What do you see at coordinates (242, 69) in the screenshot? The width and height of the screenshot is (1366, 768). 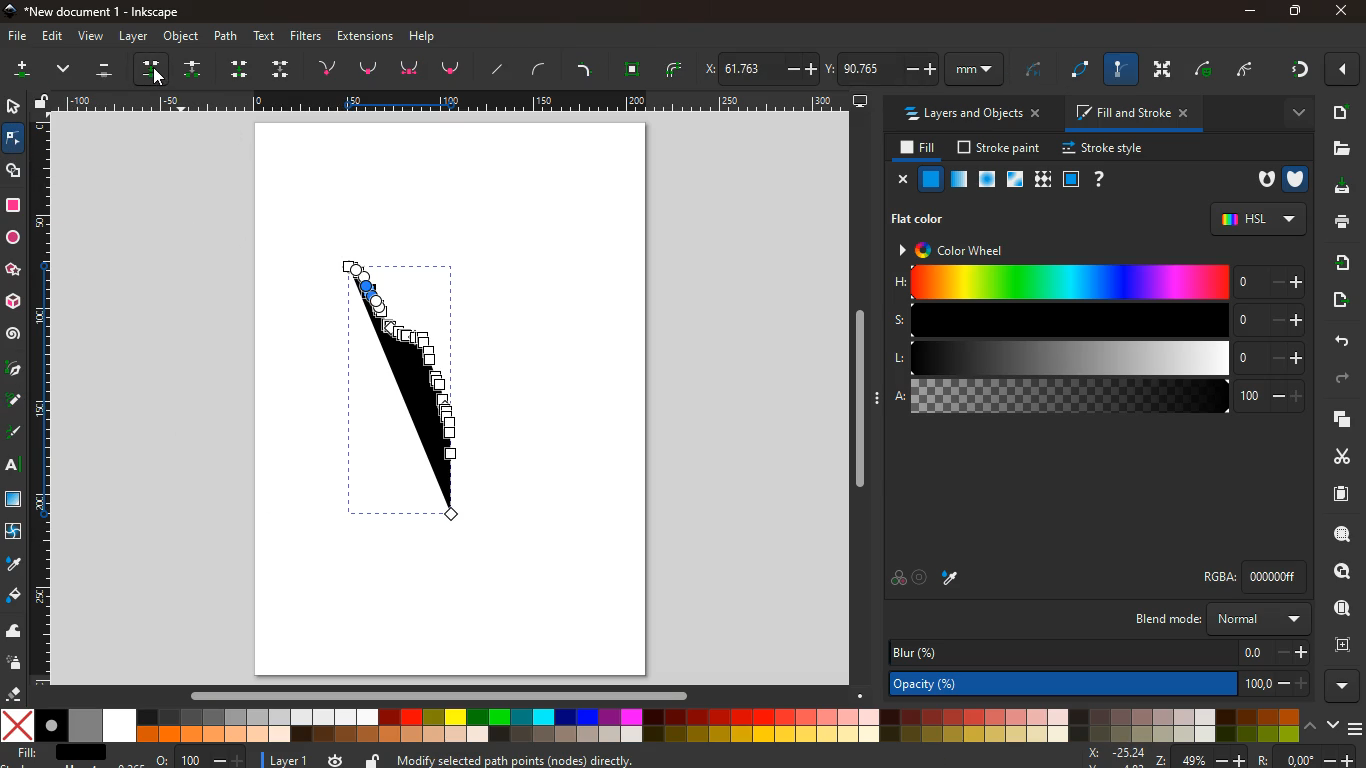 I see `middle` at bounding box center [242, 69].